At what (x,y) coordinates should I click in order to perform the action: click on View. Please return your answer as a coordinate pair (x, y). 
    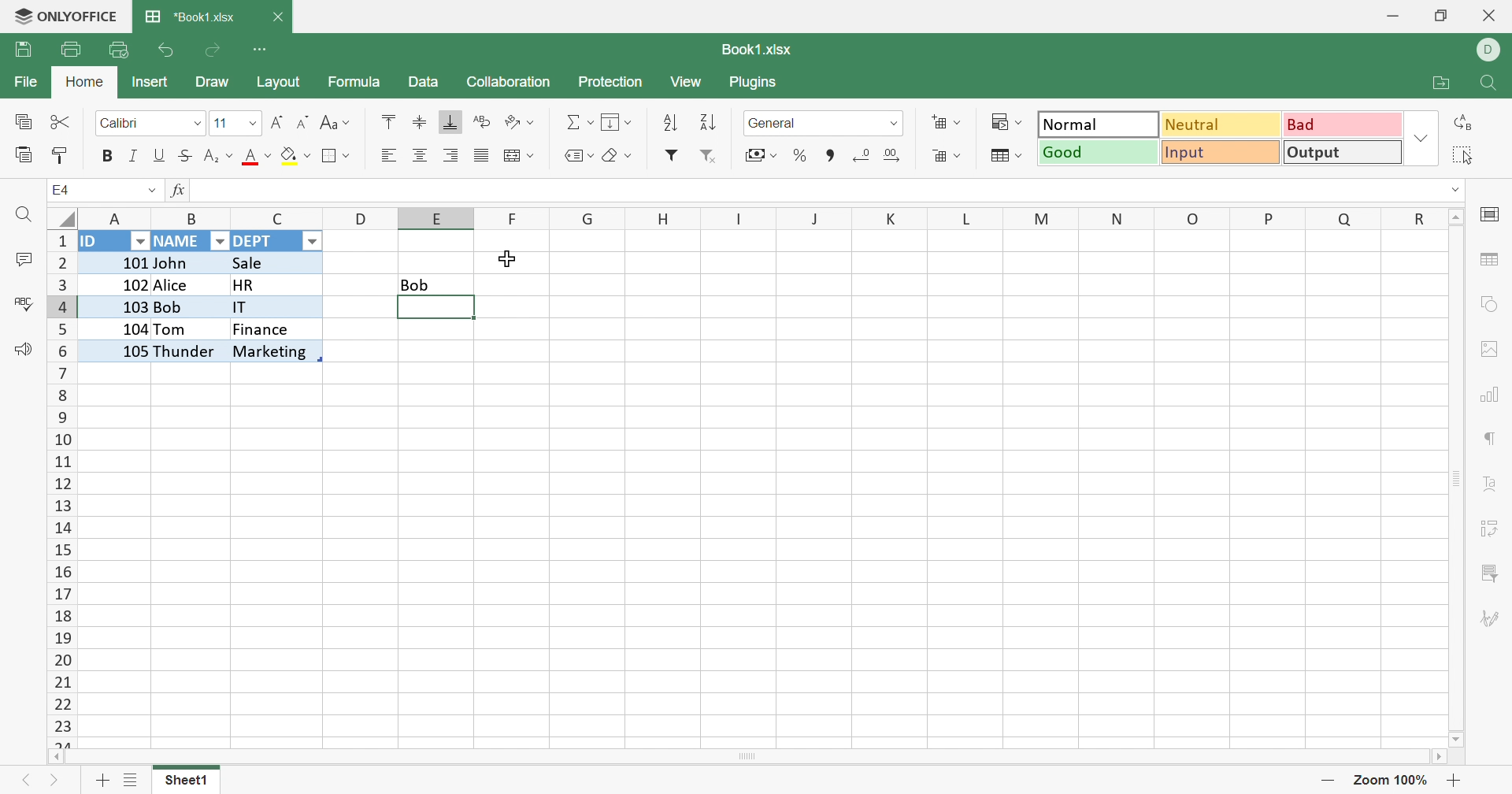
    Looking at the image, I should click on (688, 83).